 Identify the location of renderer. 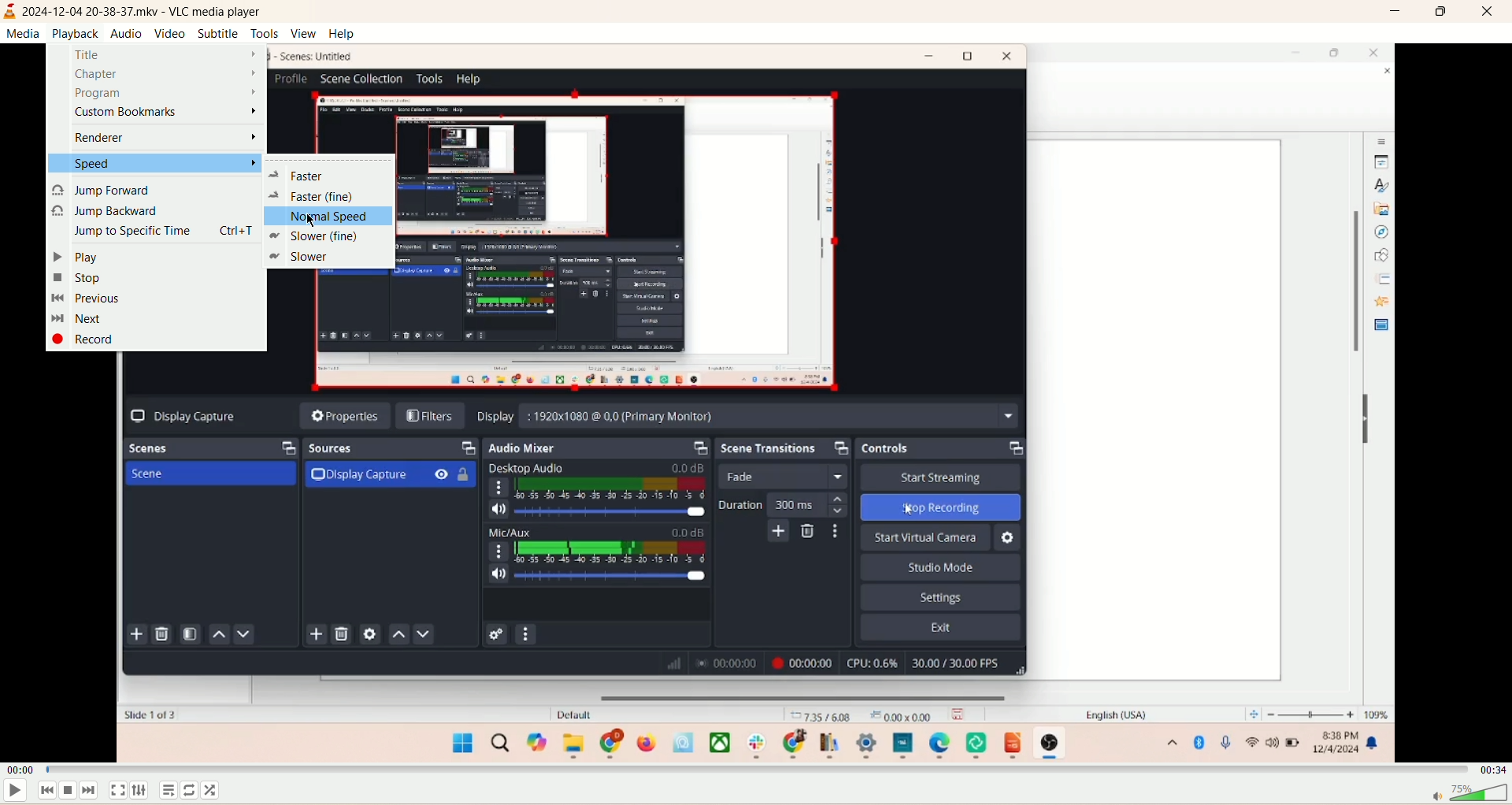
(167, 138).